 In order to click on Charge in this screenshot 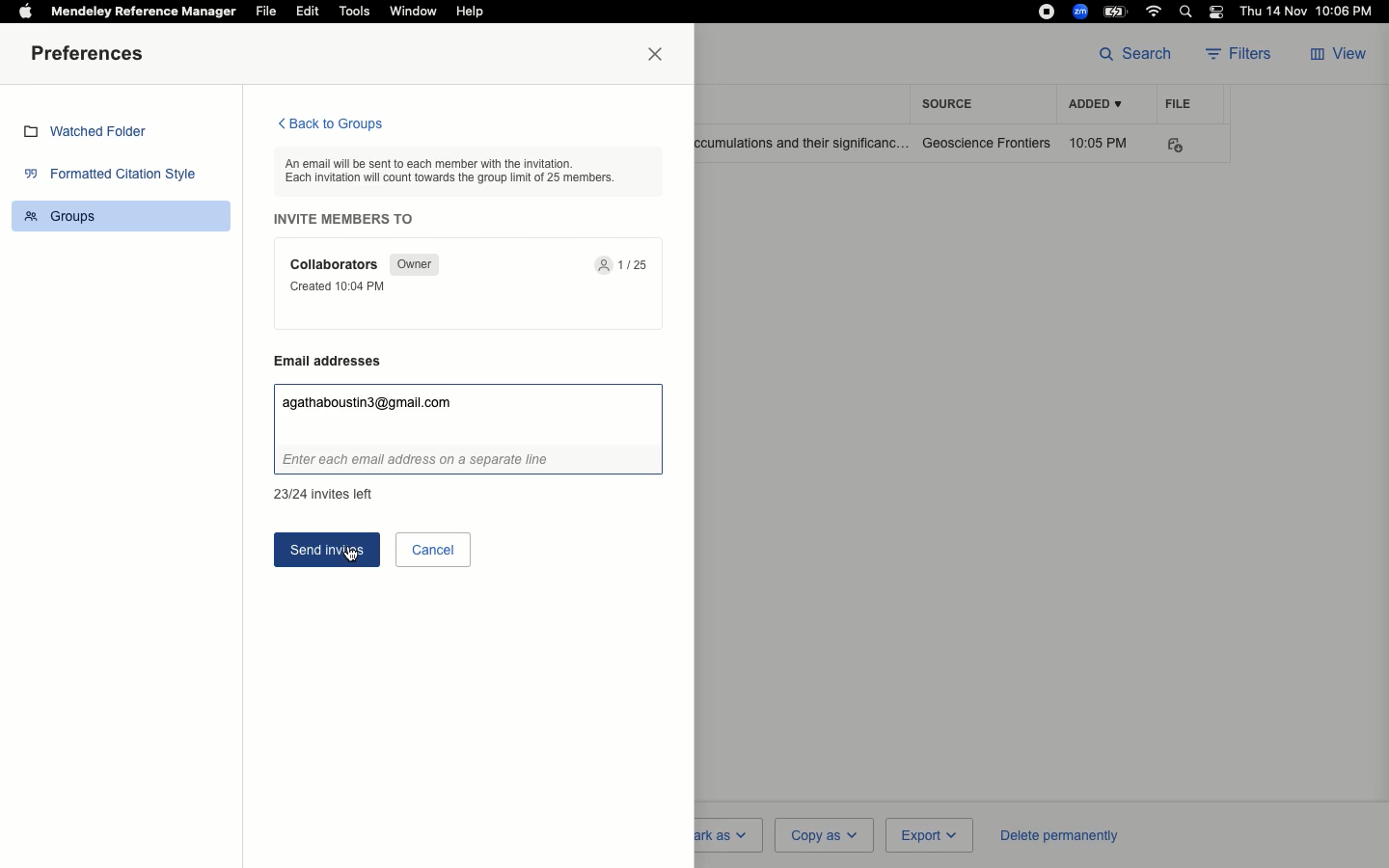, I will do `click(1118, 11)`.